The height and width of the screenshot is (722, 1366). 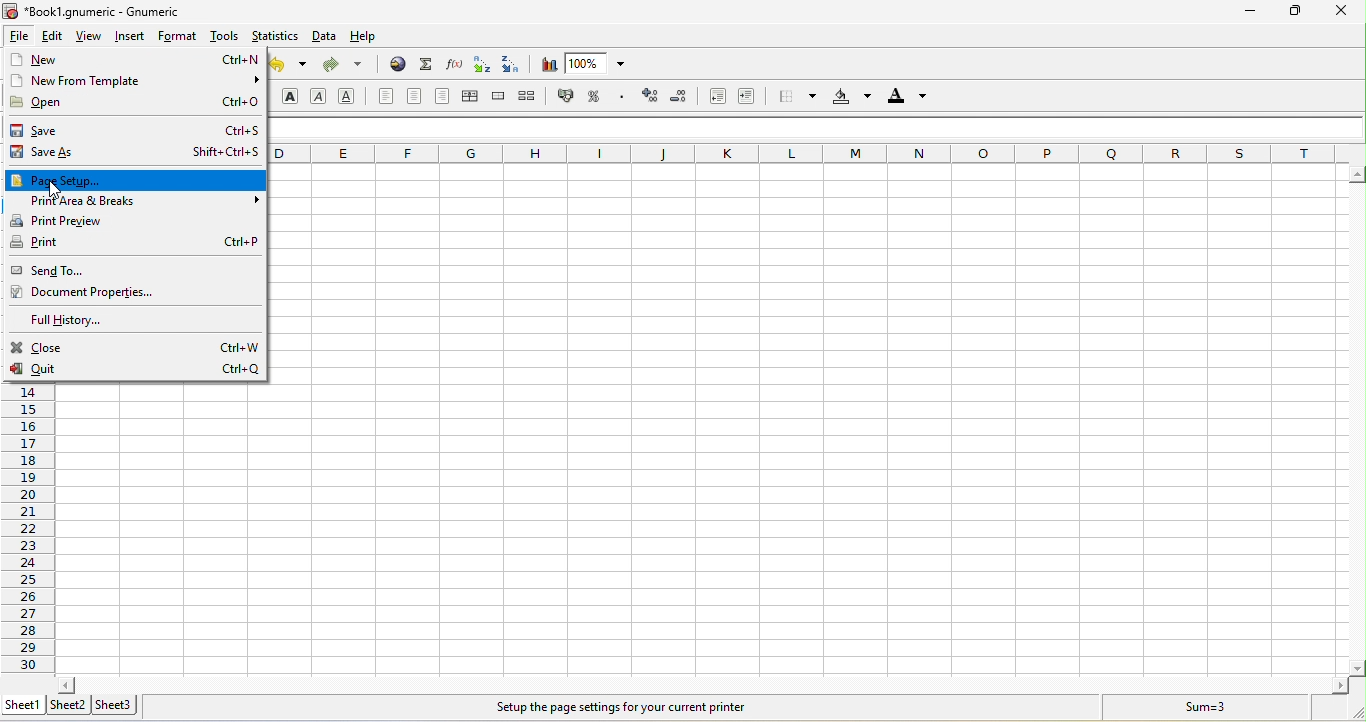 What do you see at coordinates (1340, 11) in the screenshot?
I see `close` at bounding box center [1340, 11].